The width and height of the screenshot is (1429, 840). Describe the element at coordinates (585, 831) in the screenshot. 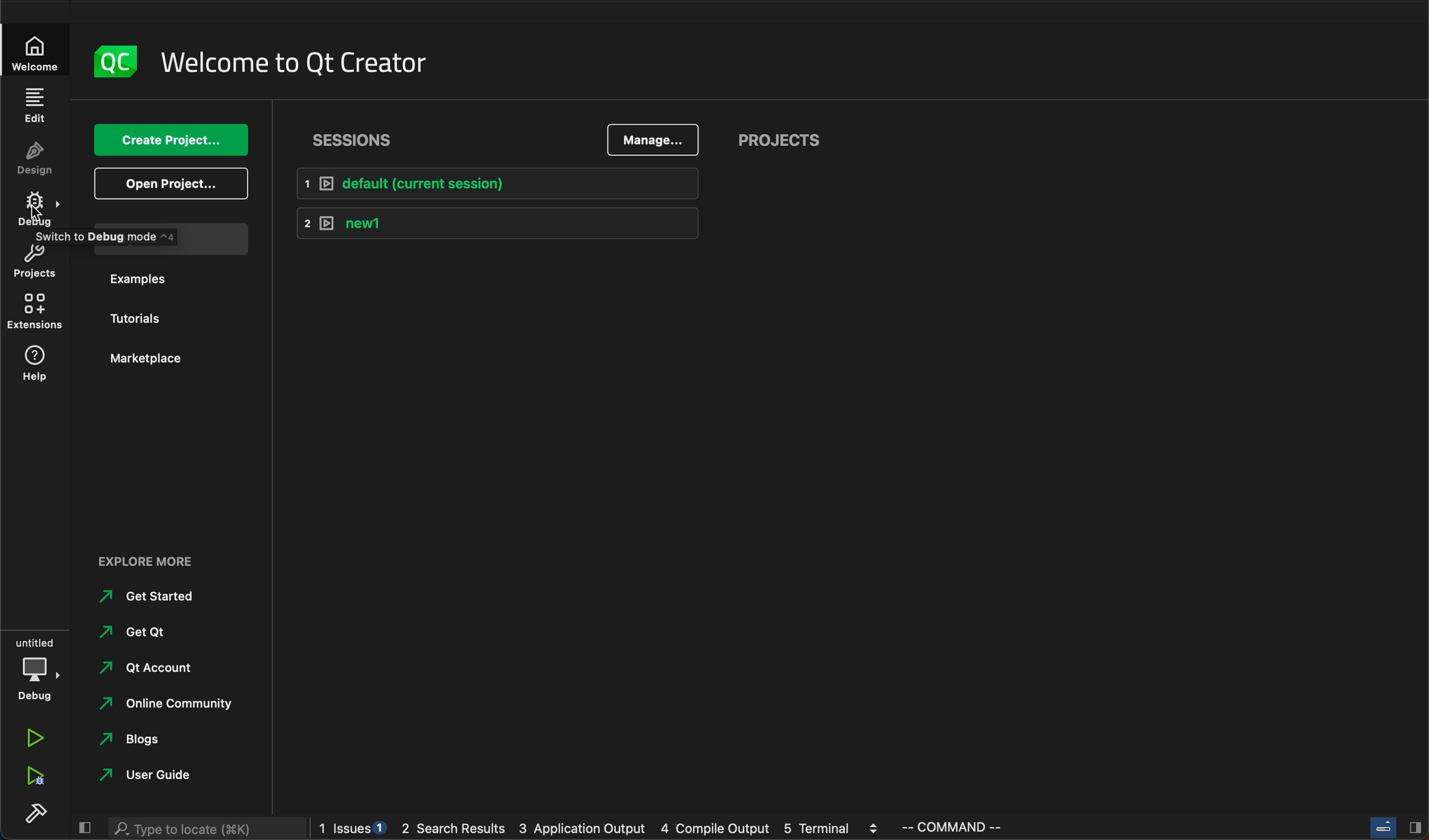

I see `application output` at that location.